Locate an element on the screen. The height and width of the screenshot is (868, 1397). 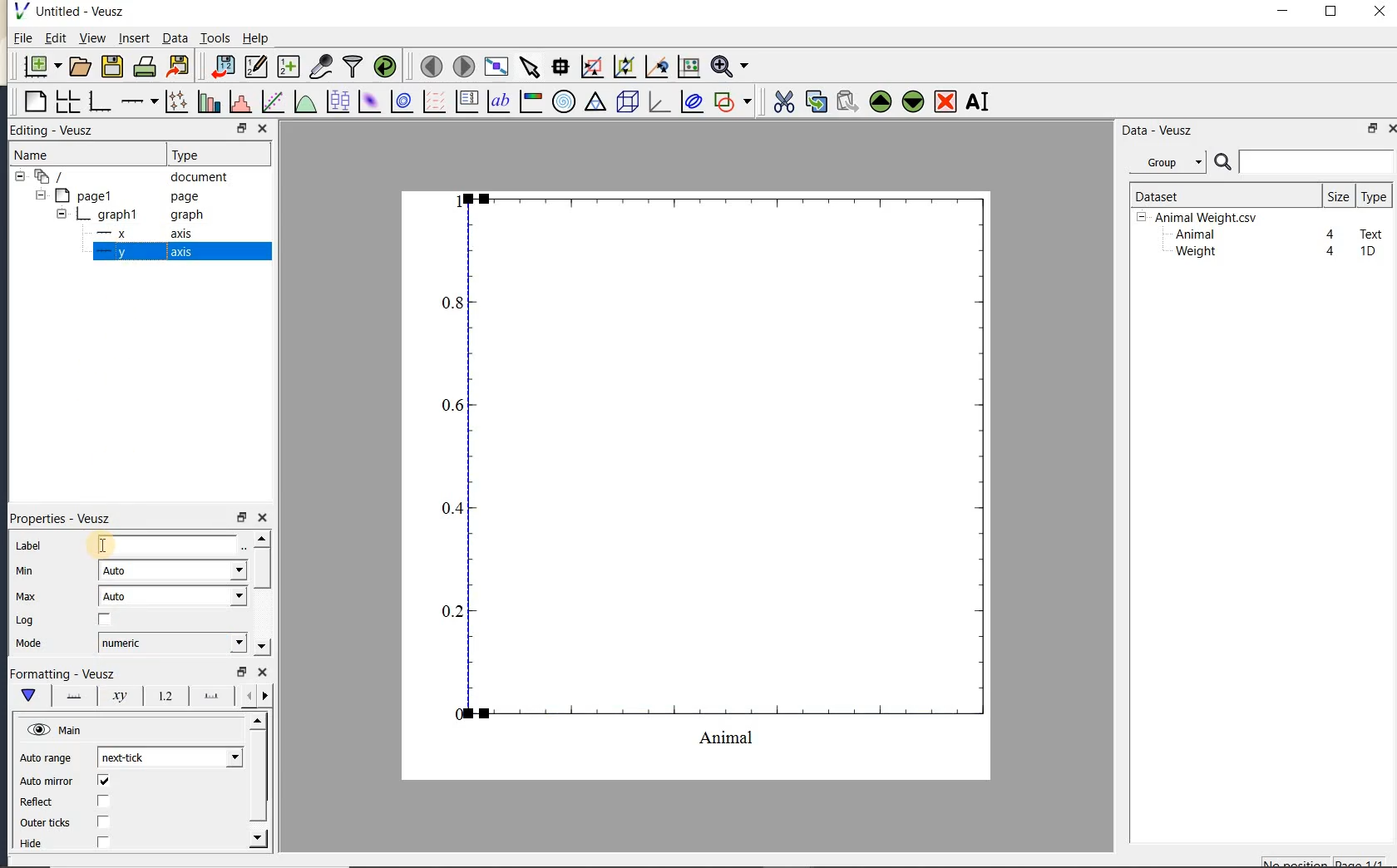
close is located at coordinates (262, 518).